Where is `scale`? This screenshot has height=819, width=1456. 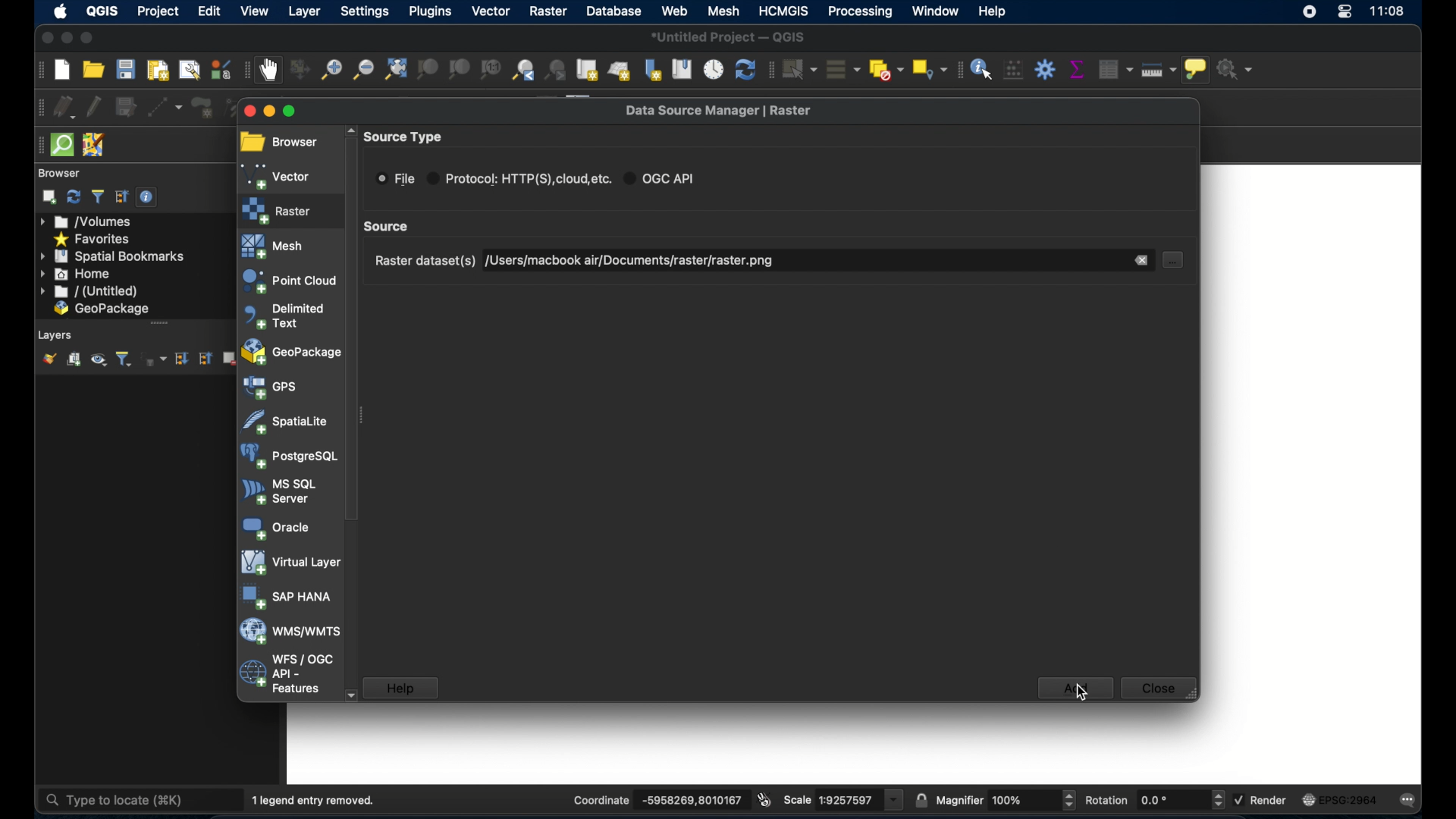
scale is located at coordinates (845, 800).